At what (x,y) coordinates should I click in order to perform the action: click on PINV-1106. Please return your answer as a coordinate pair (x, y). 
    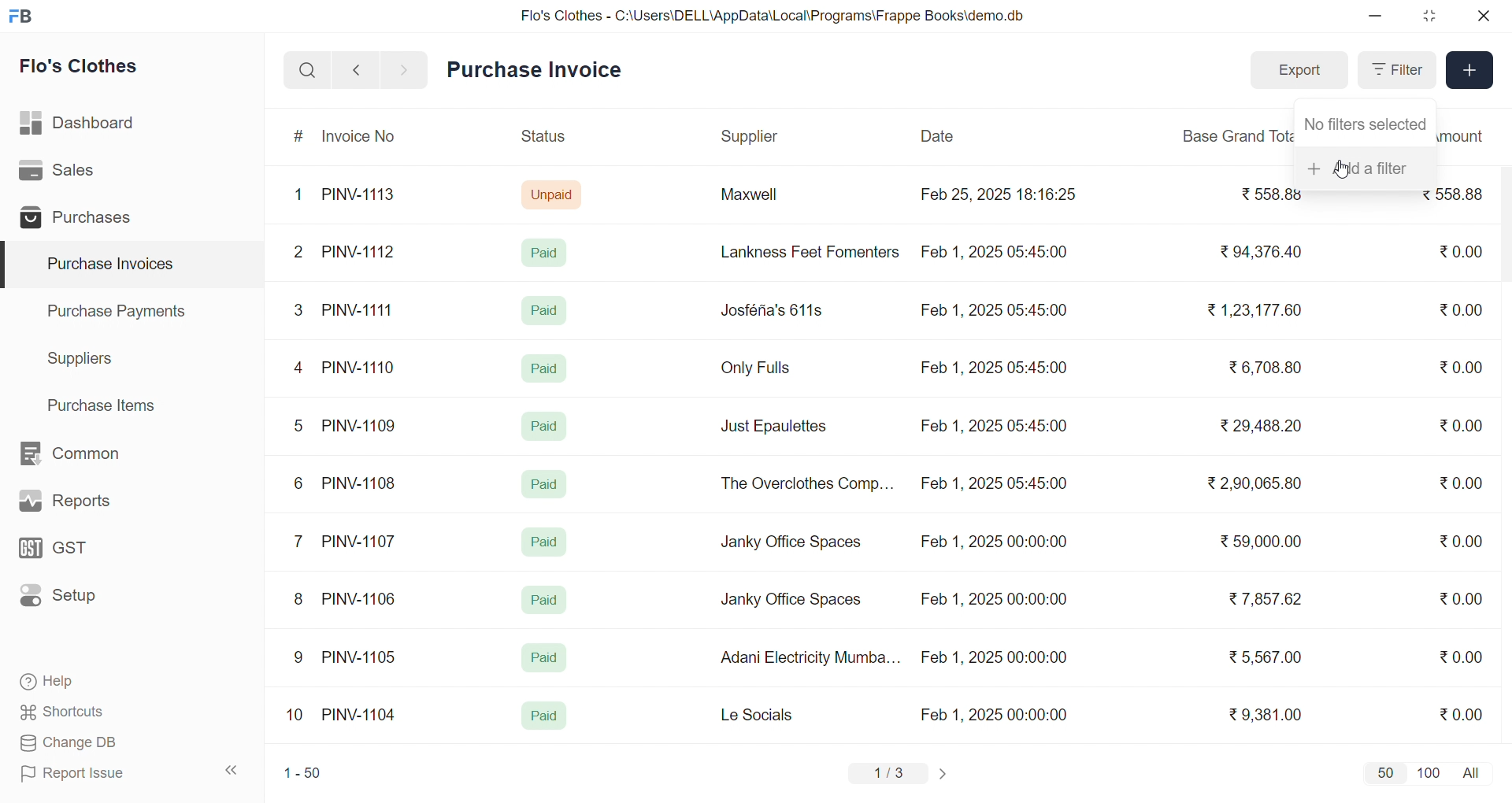
    Looking at the image, I should click on (365, 599).